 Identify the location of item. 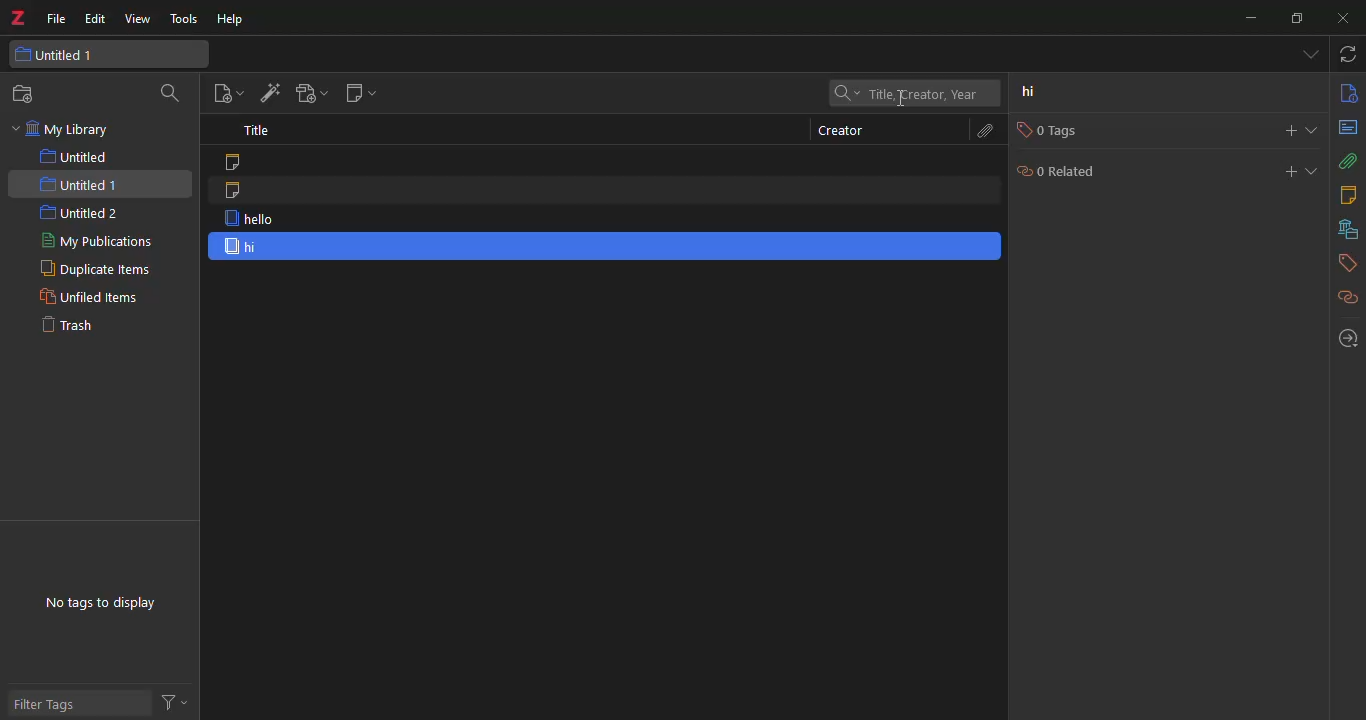
(242, 246).